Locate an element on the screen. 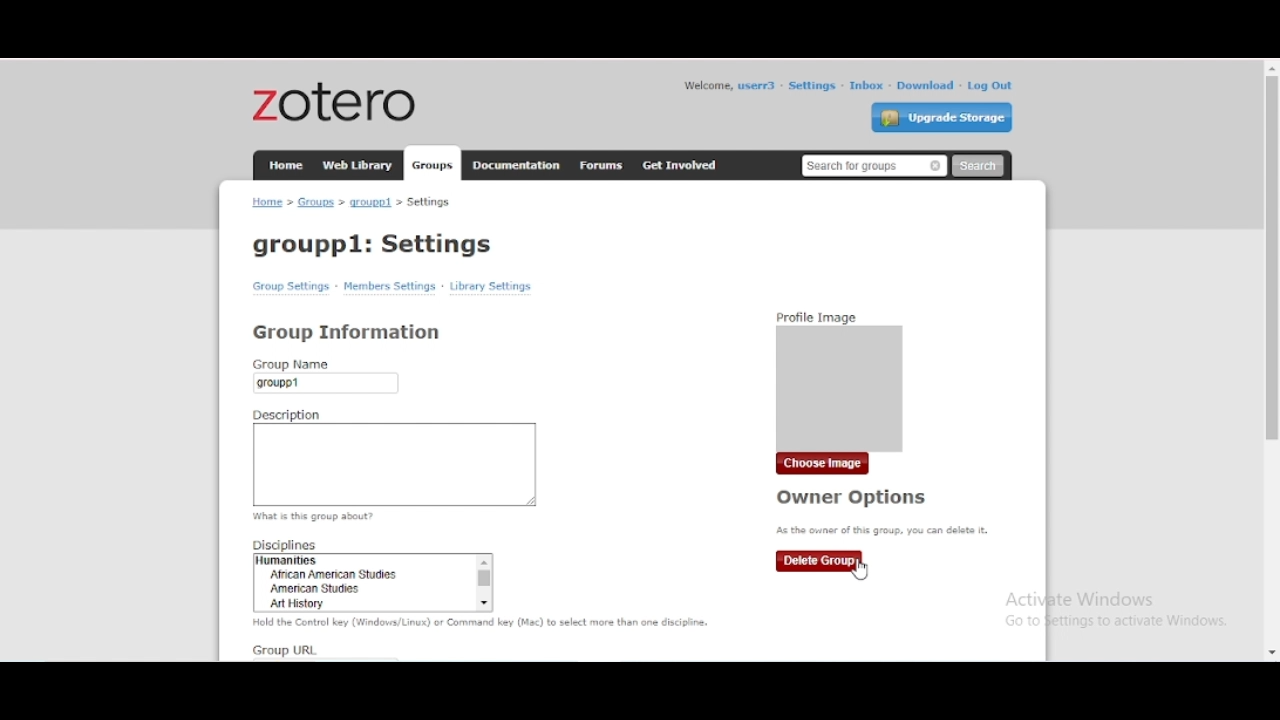 The width and height of the screenshot is (1280, 720). group settings is located at coordinates (291, 287).